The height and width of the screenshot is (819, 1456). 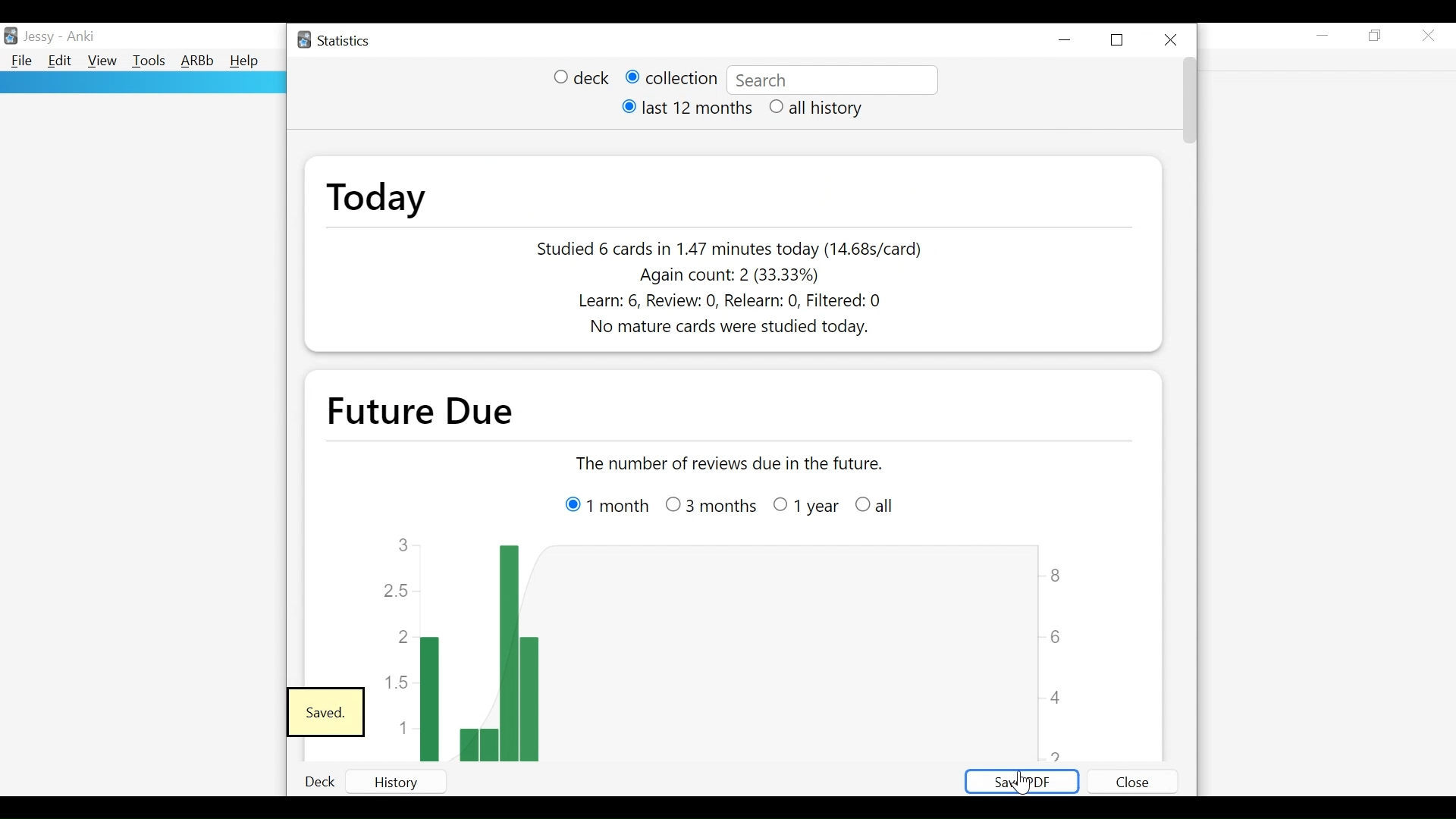 I want to click on No mature cards were studied today, so click(x=720, y=328).